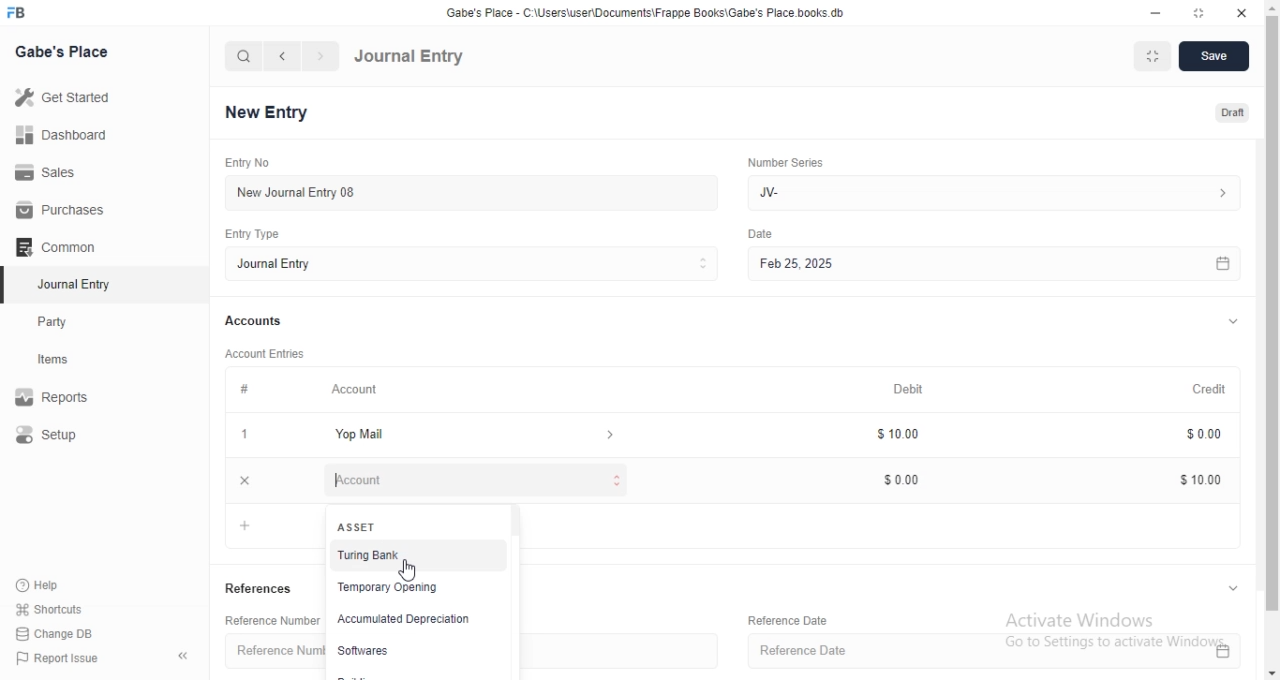  What do you see at coordinates (510, 595) in the screenshot?
I see `vertical scroll bar` at bounding box center [510, 595].